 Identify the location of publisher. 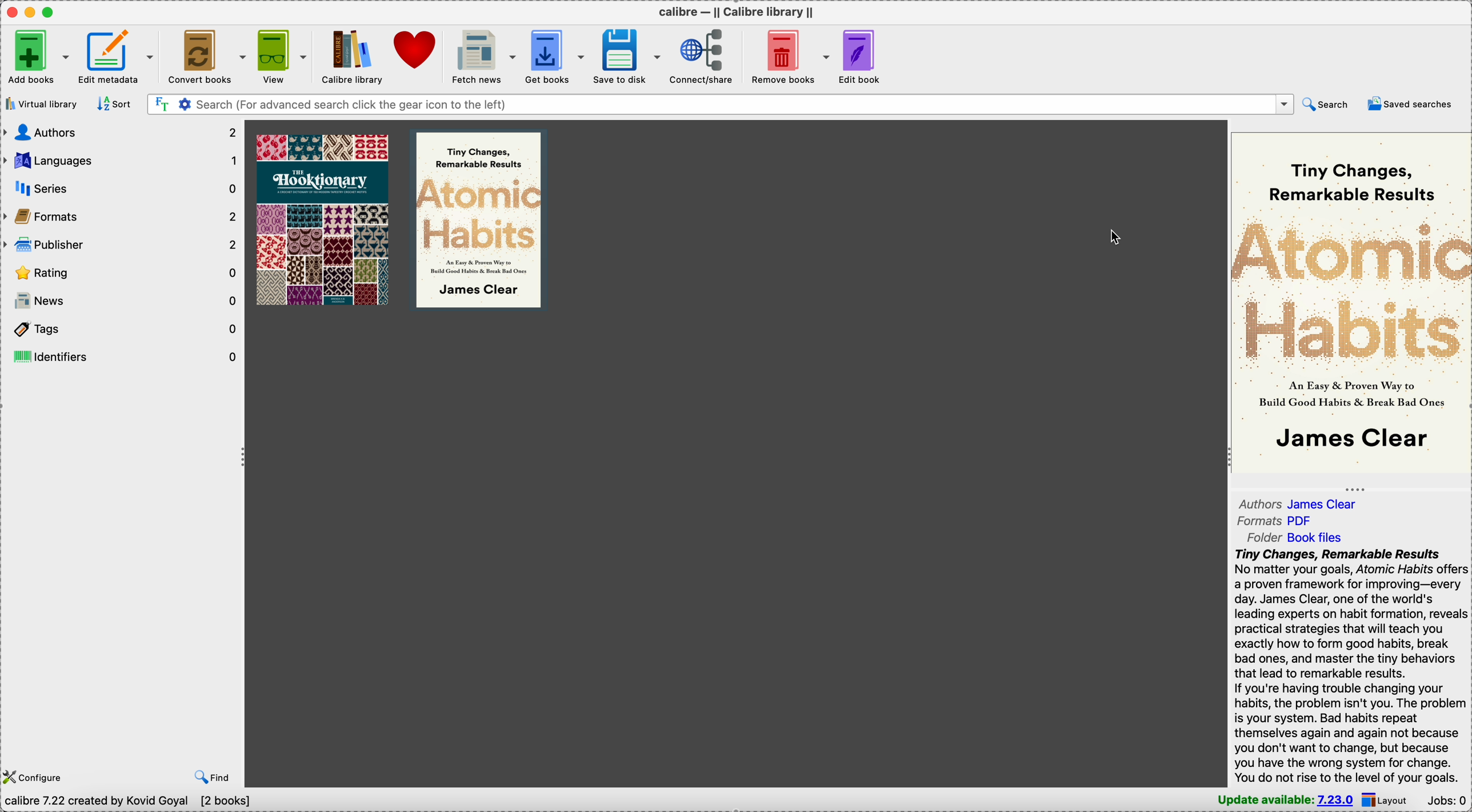
(122, 247).